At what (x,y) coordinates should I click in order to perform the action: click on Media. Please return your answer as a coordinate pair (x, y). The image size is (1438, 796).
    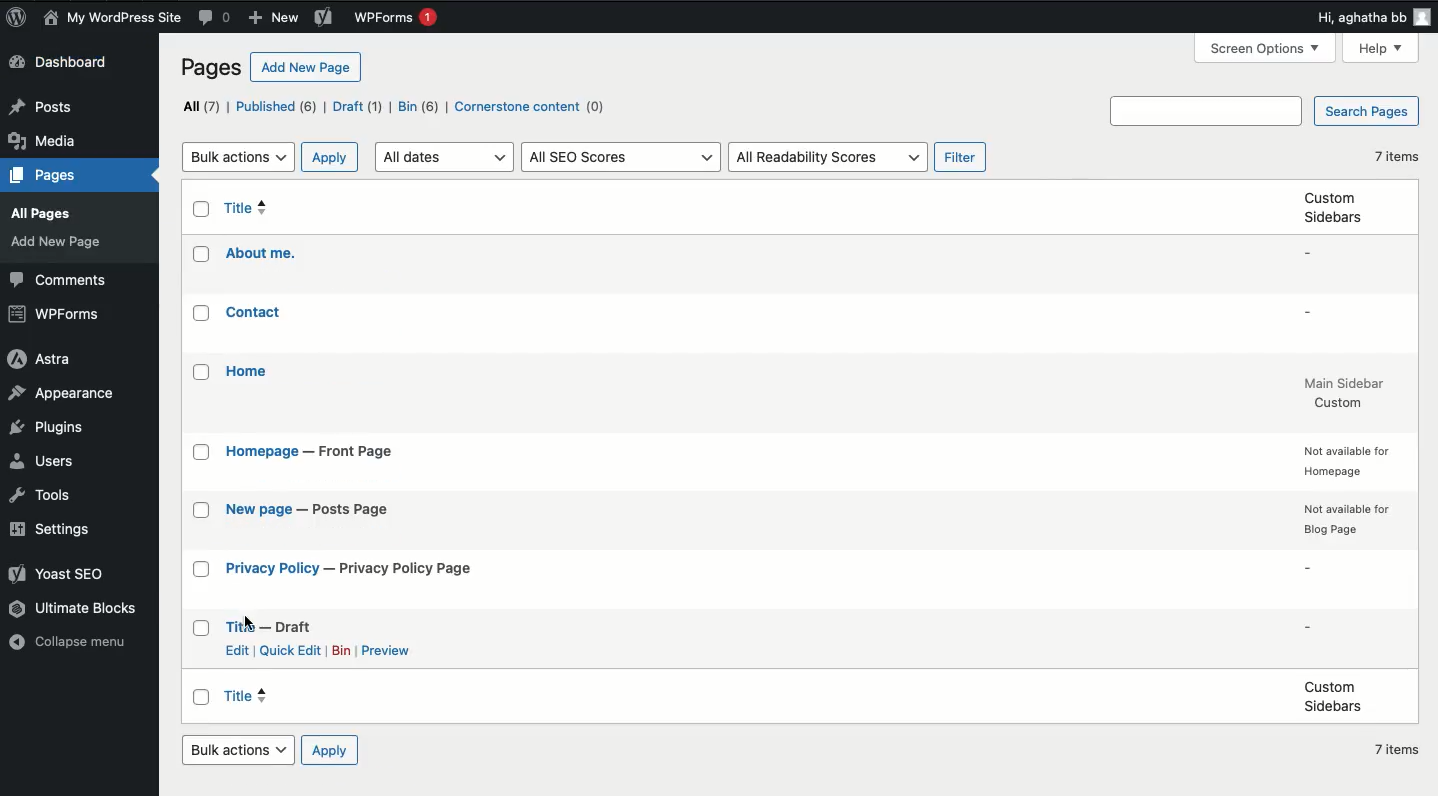
    Looking at the image, I should click on (43, 141).